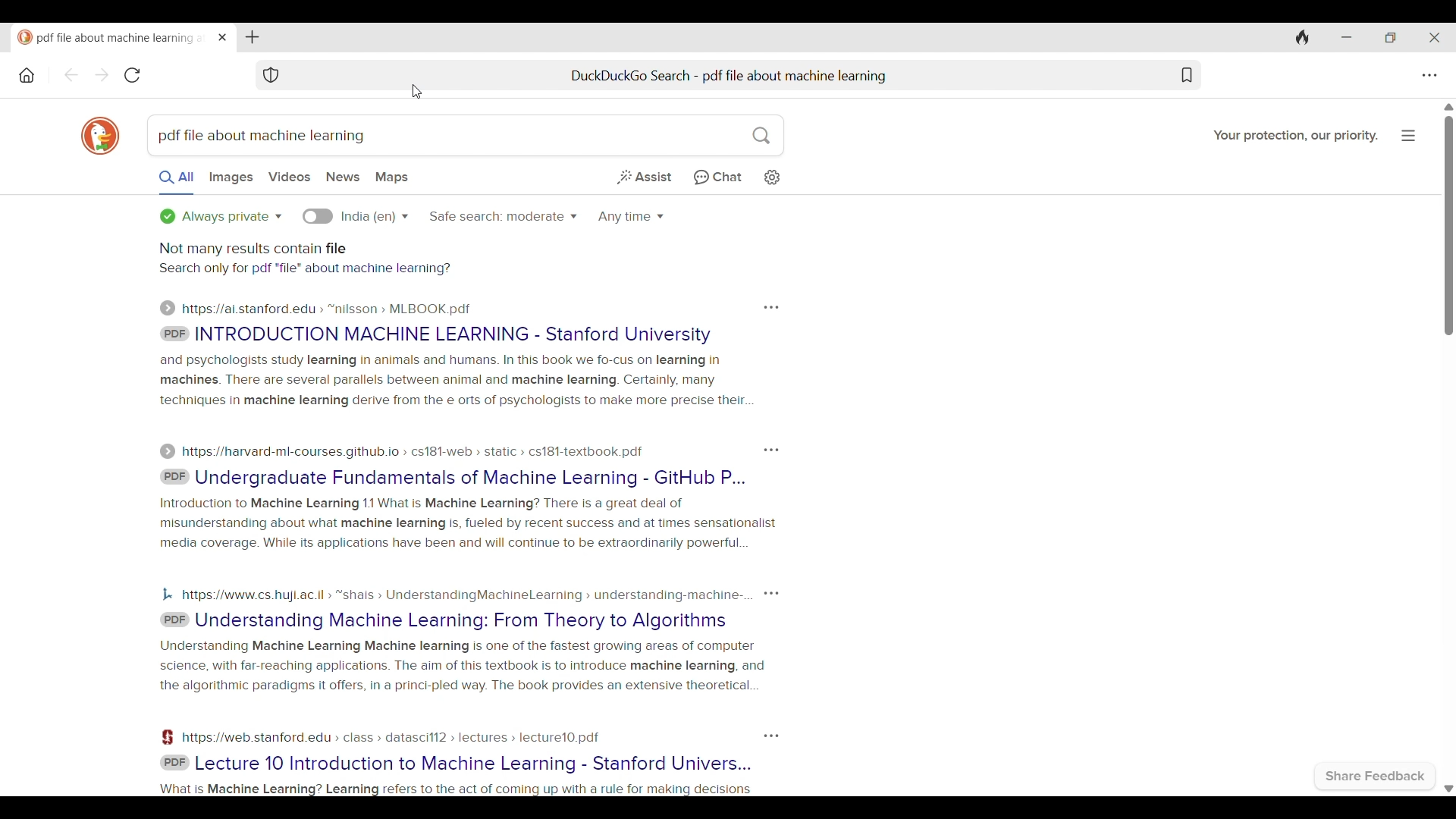 Image resolution: width=1456 pixels, height=819 pixels. I want to click on PDF, so click(174, 620).